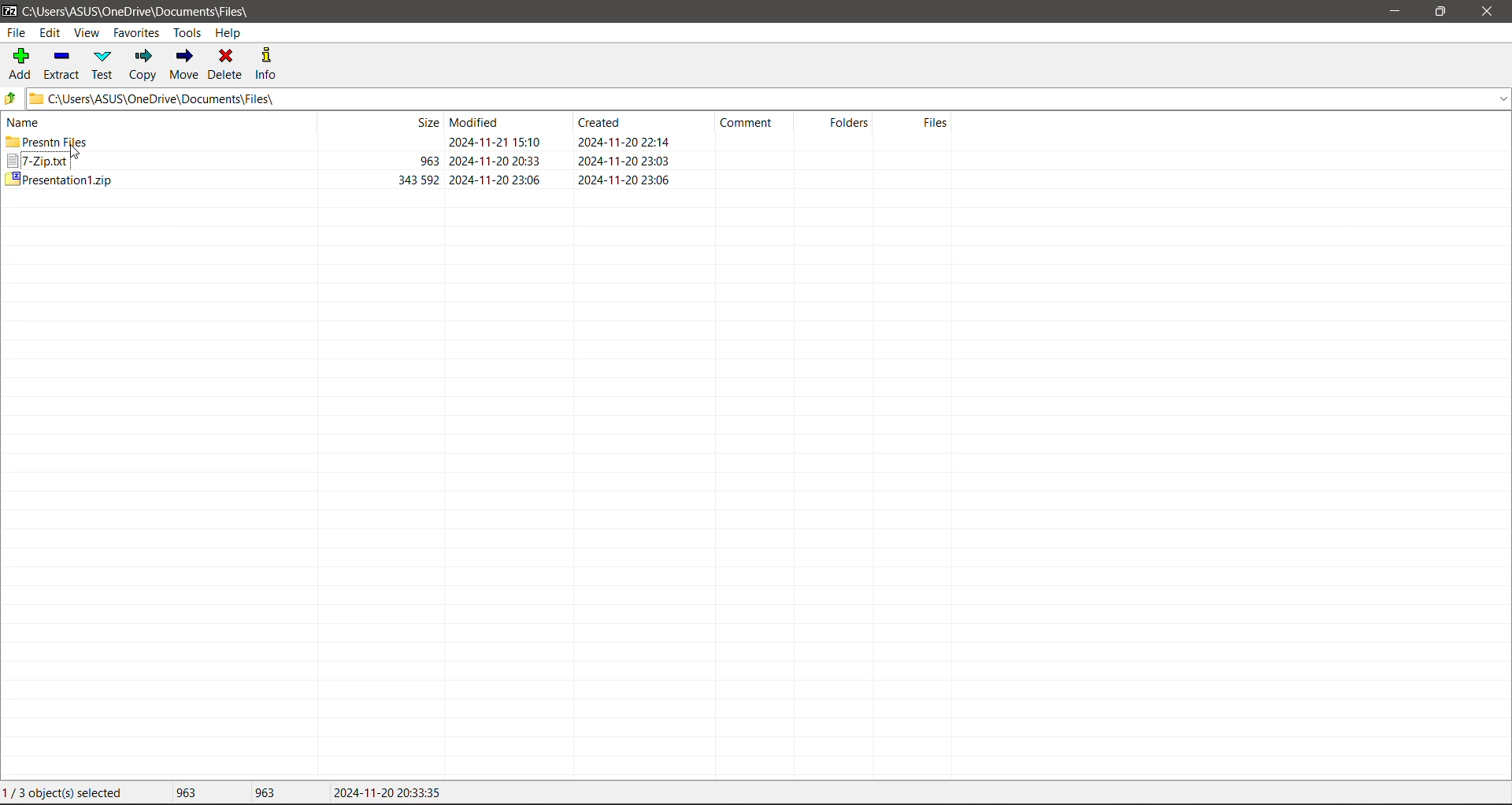  Describe the element at coordinates (87, 34) in the screenshot. I see `View` at that location.